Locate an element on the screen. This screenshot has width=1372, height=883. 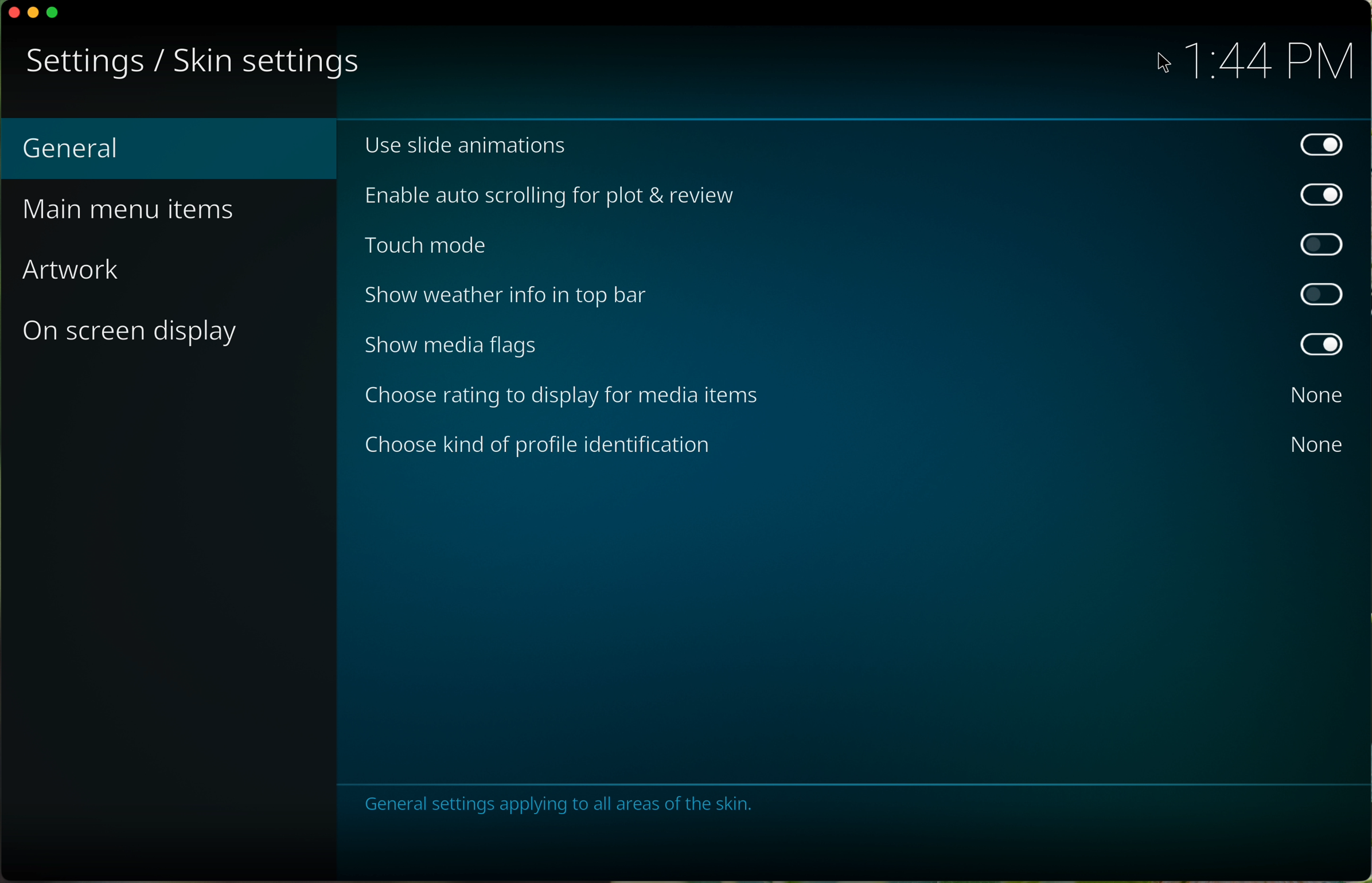
none choose rating to display for media items is located at coordinates (851, 396).